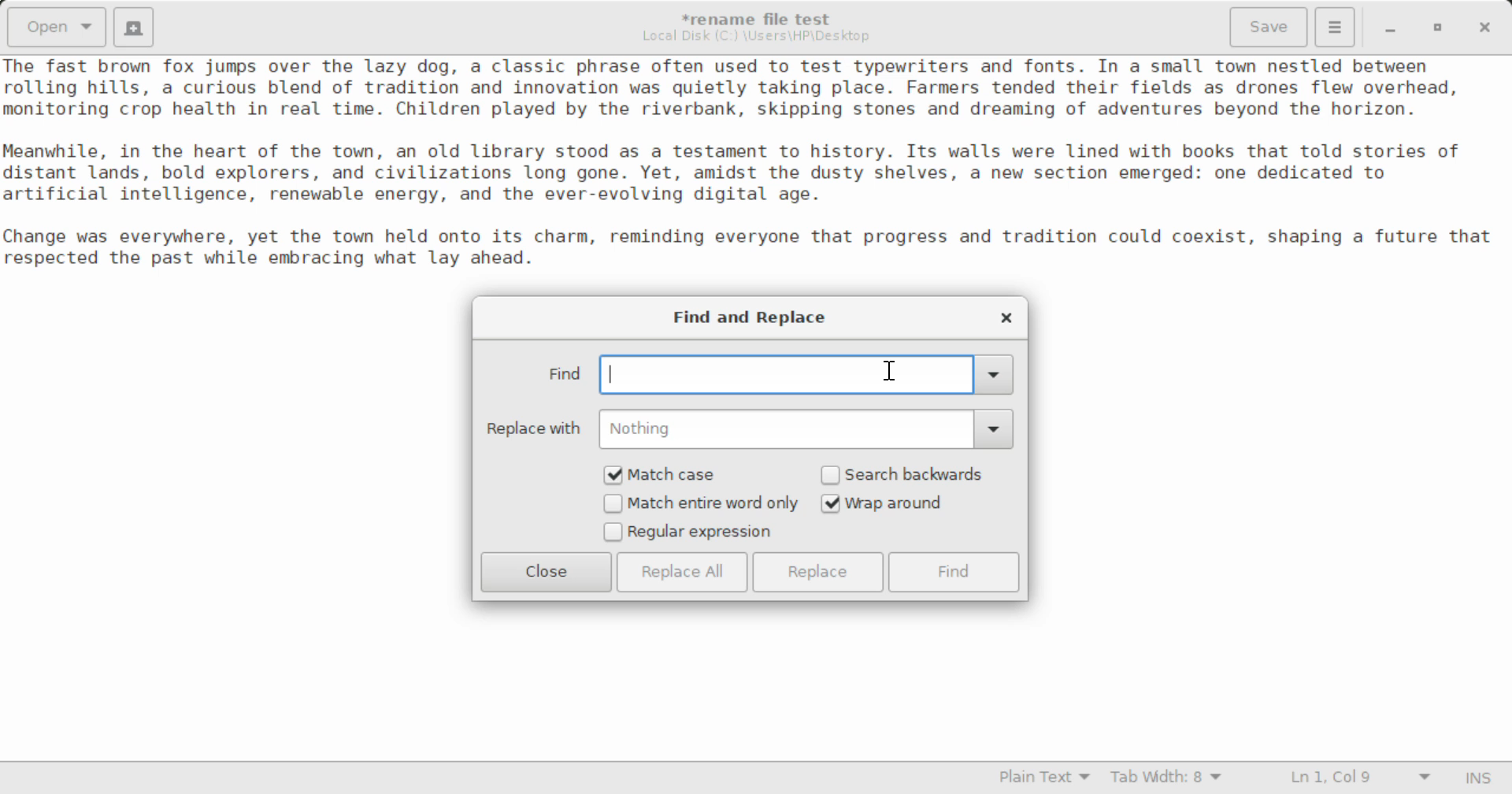 This screenshot has width=1512, height=794. Describe the element at coordinates (688, 533) in the screenshot. I see `Regular expression ` at that location.